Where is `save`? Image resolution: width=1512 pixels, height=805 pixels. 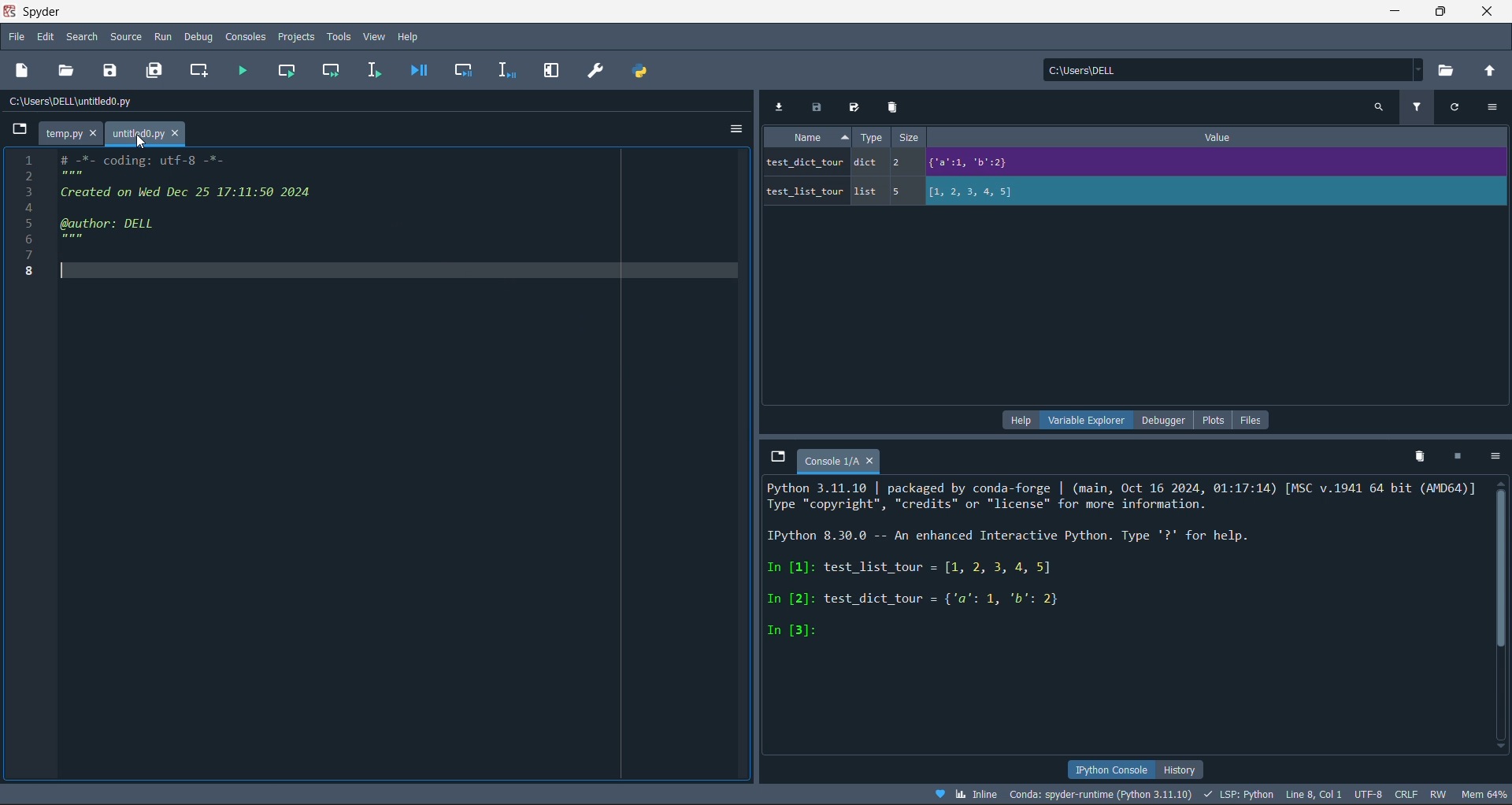 save is located at coordinates (106, 71).